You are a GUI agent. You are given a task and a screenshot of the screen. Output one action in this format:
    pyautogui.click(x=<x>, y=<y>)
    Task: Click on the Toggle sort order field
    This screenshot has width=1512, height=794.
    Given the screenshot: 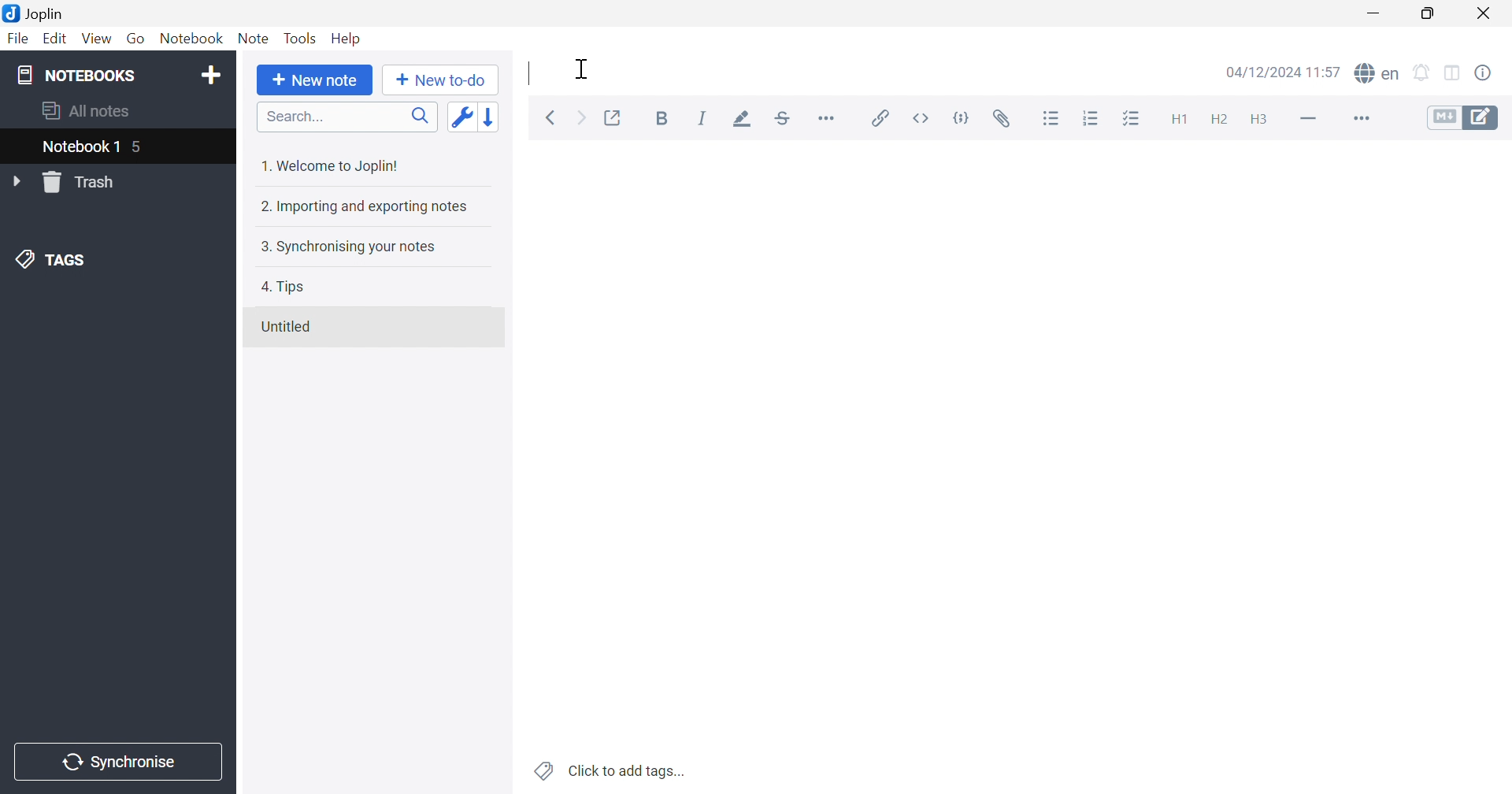 What is the action you would take?
    pyautogui.click(x=461, y=117)
    